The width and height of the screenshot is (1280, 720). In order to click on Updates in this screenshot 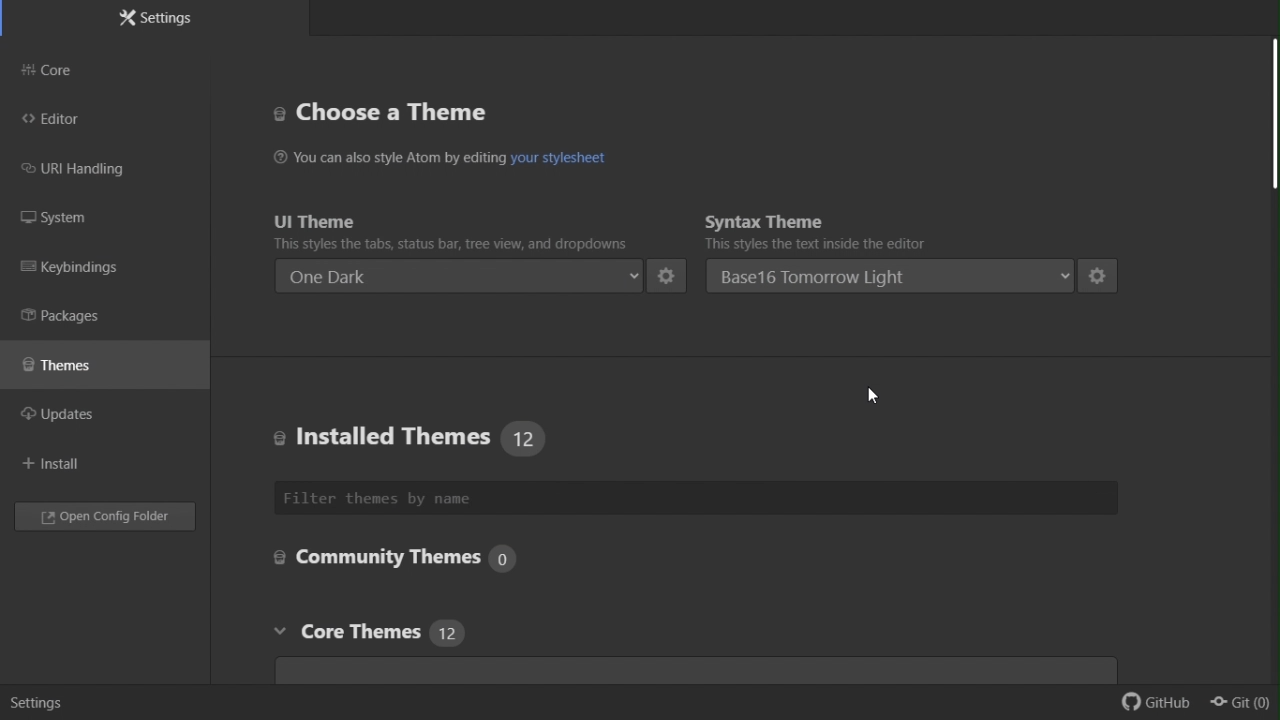, I will do `click(71, 414)`.